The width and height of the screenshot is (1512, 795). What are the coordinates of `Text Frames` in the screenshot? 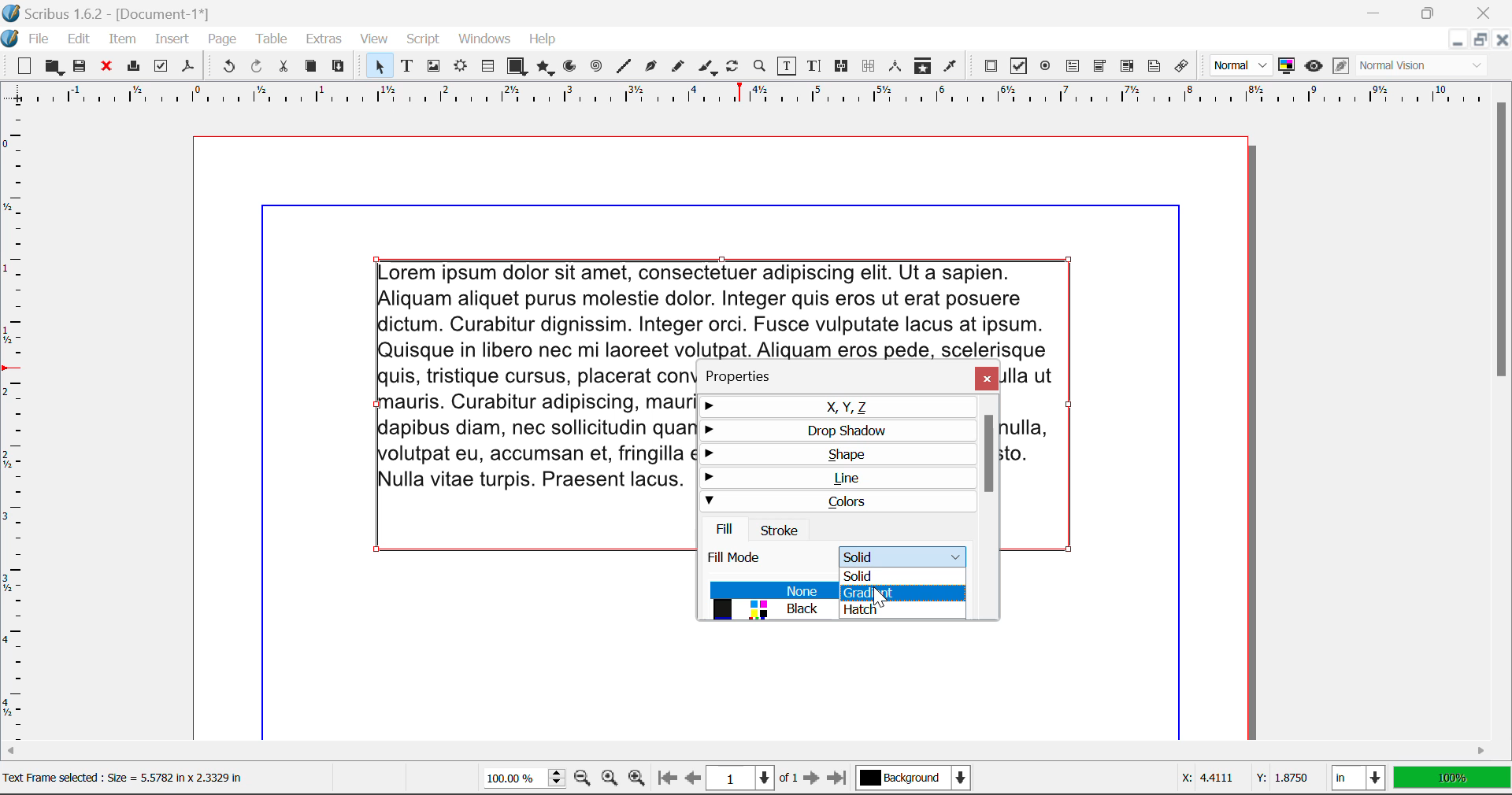 It's located at (407, 68).